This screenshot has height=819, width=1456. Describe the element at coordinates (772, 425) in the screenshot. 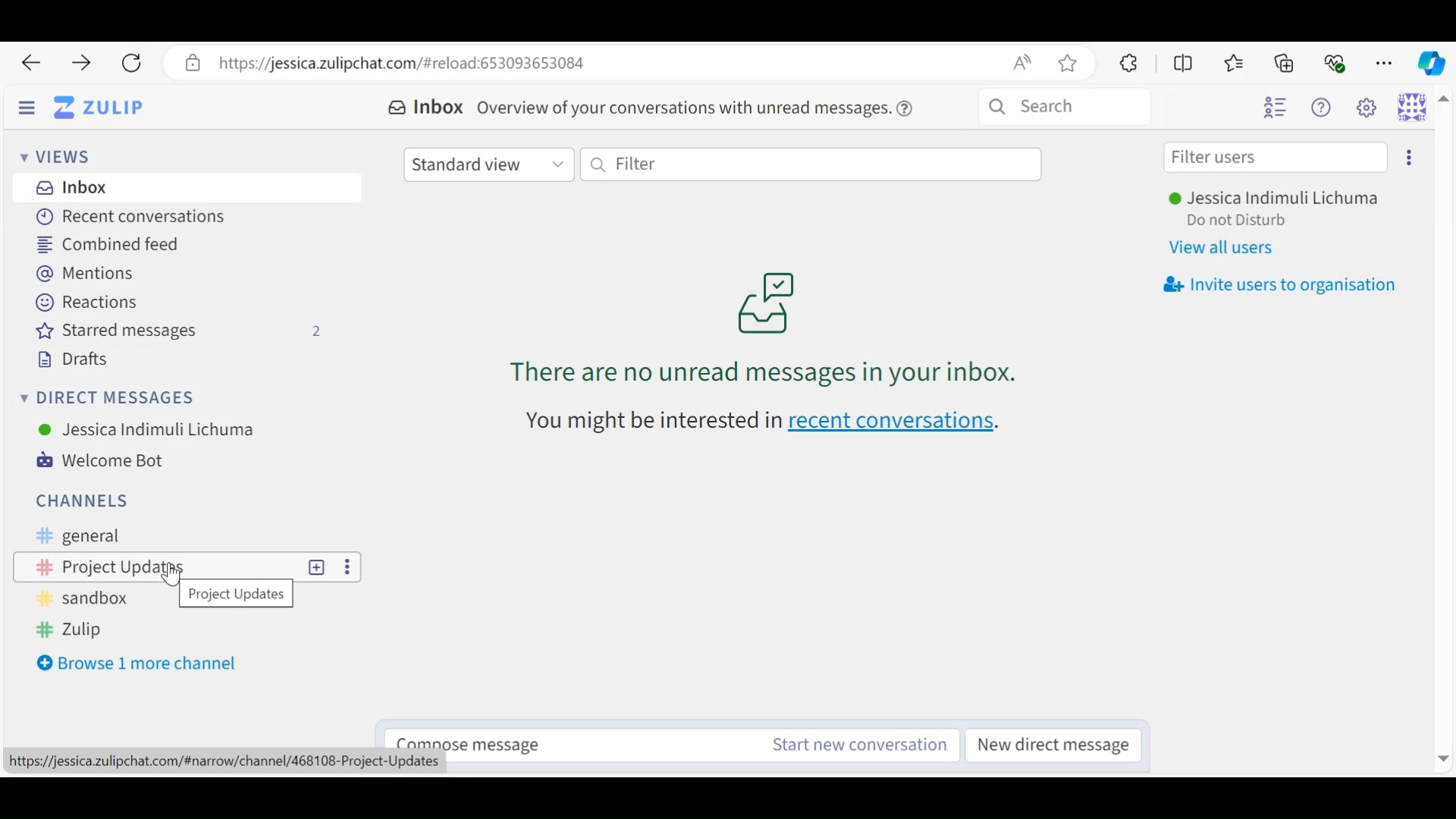

I see `recent conversations` at that location.